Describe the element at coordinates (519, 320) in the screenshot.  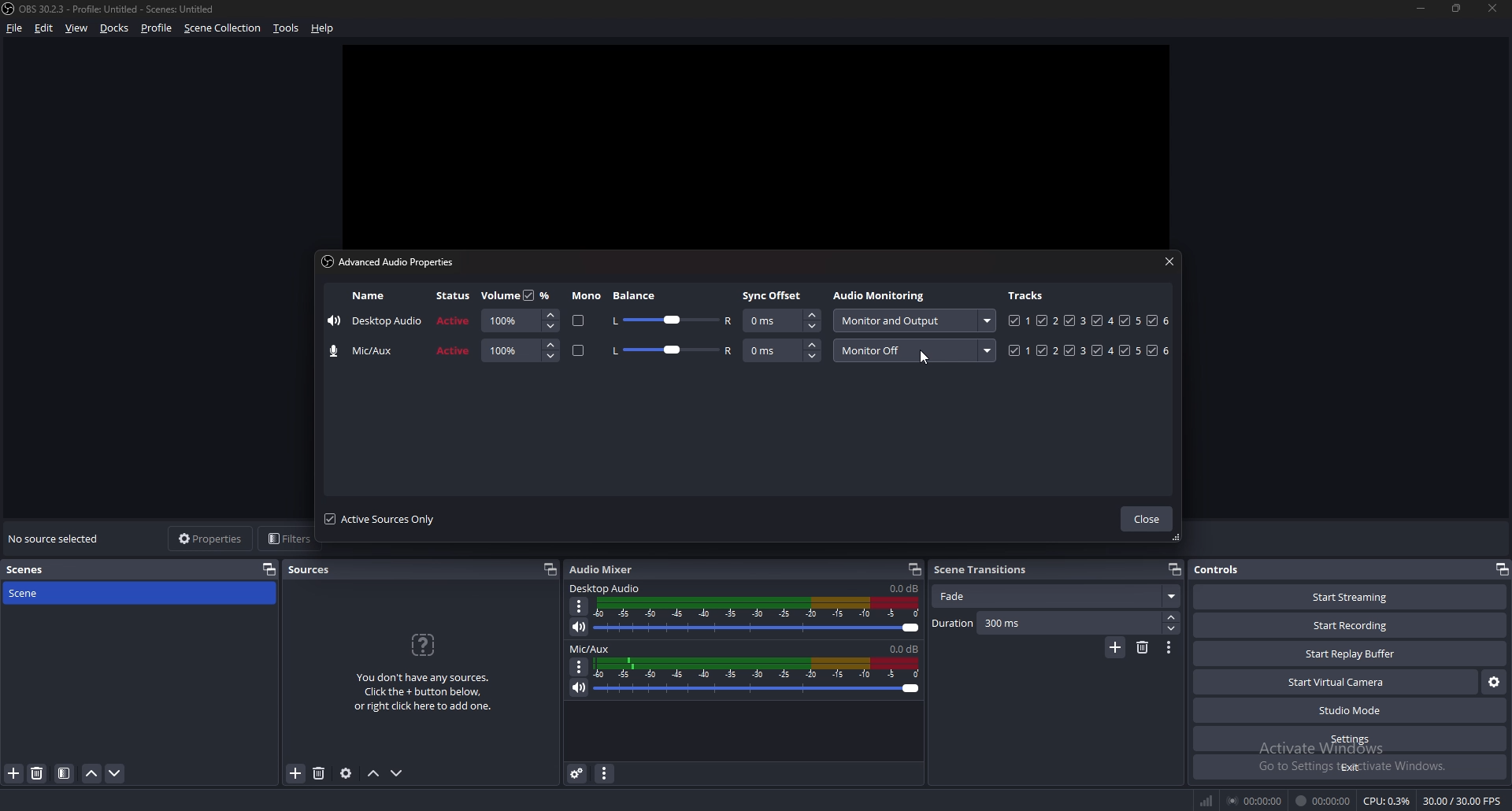
I see `volume adjust` at that location.